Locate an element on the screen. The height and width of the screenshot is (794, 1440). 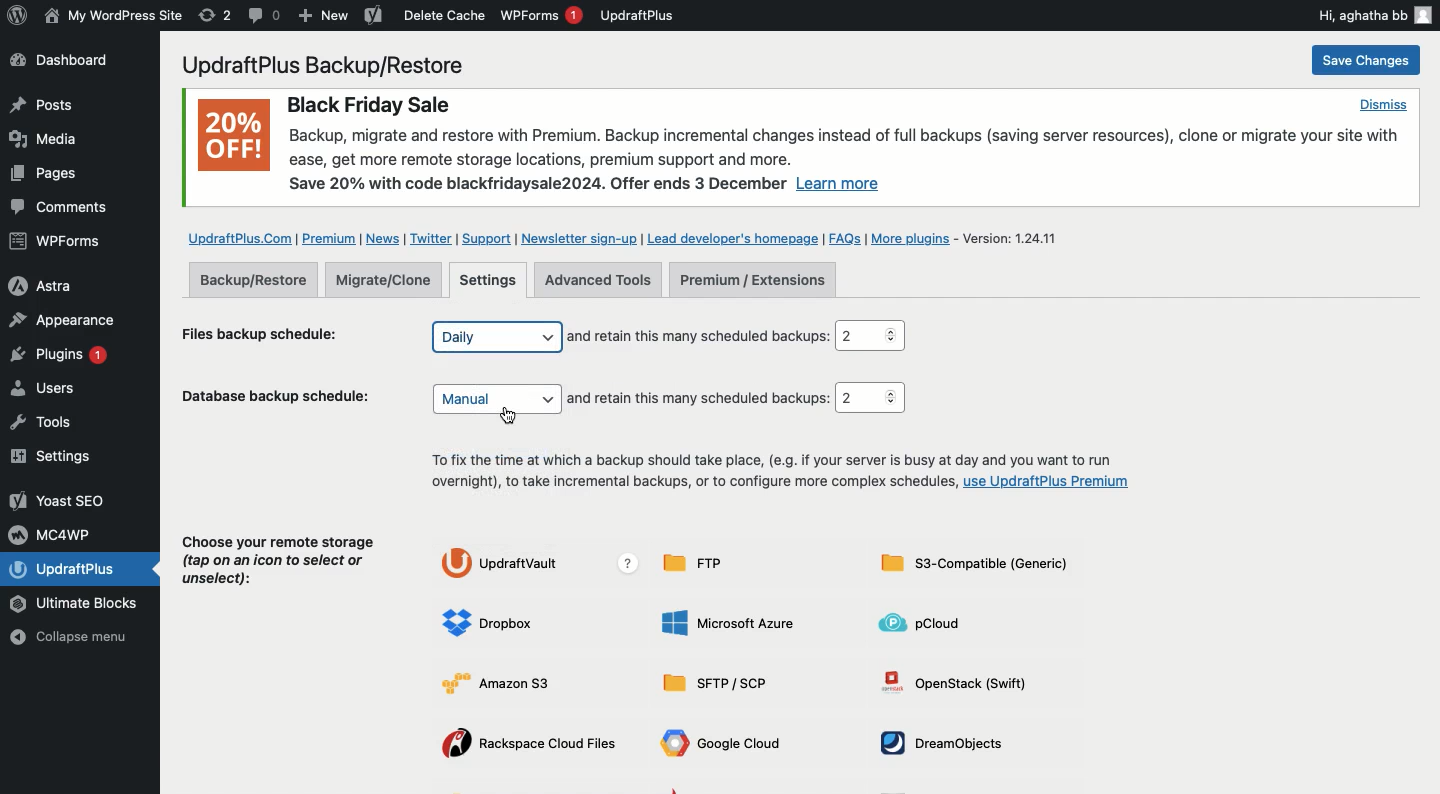
Sftp SCP is located at coordinates (722, 684).